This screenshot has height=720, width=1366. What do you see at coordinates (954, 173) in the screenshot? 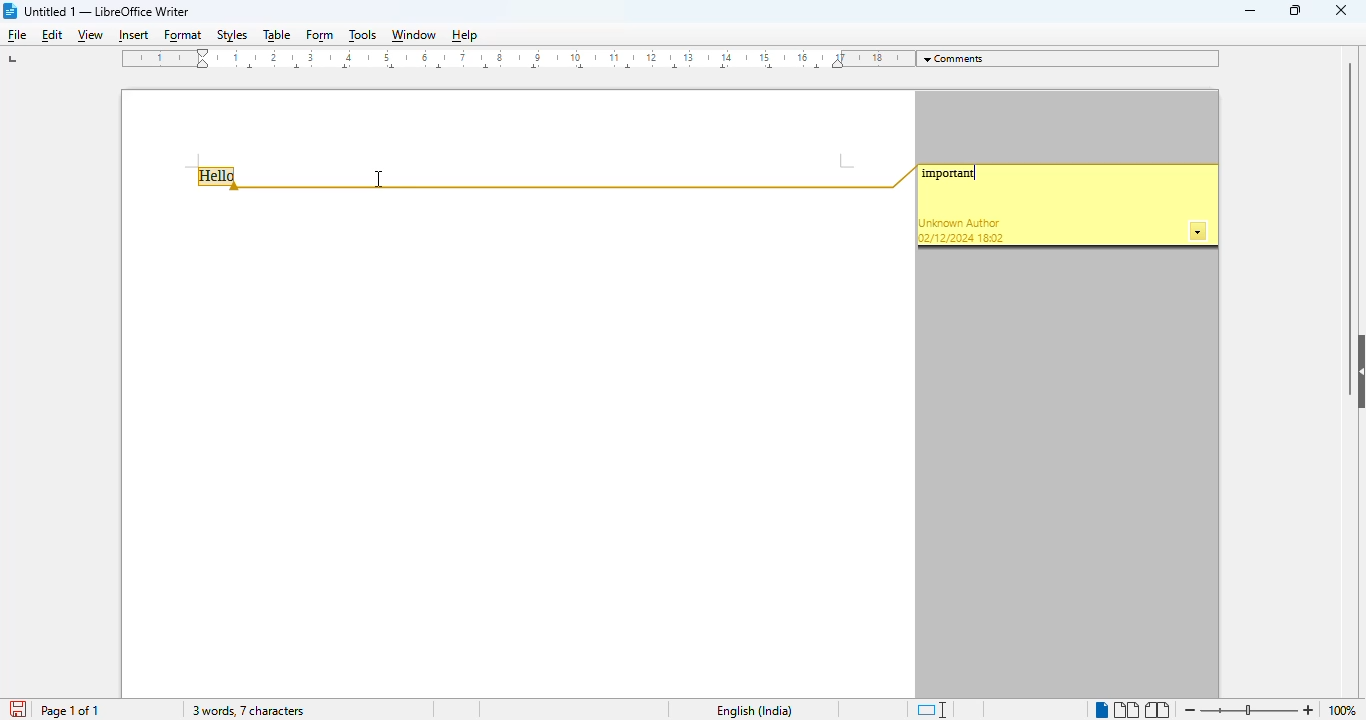
I see `important` at bounding box center [954, 173].